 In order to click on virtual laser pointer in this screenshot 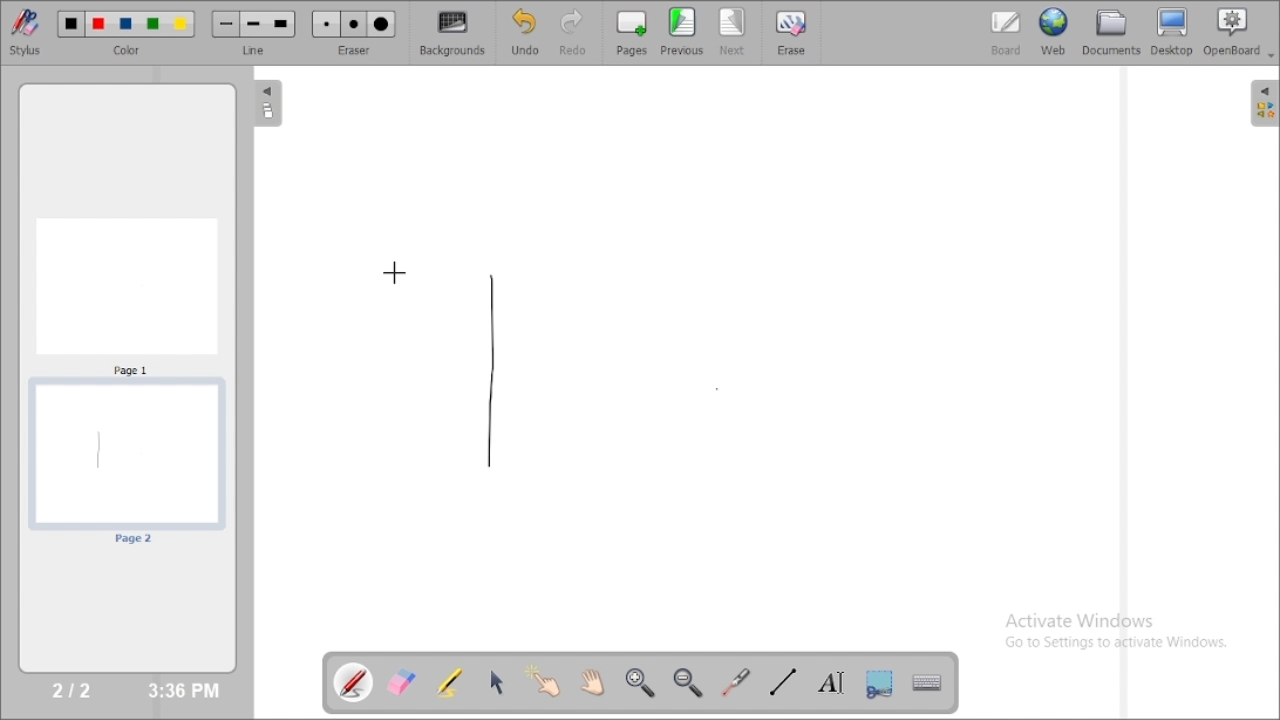, I will do `click(736, 682)`.